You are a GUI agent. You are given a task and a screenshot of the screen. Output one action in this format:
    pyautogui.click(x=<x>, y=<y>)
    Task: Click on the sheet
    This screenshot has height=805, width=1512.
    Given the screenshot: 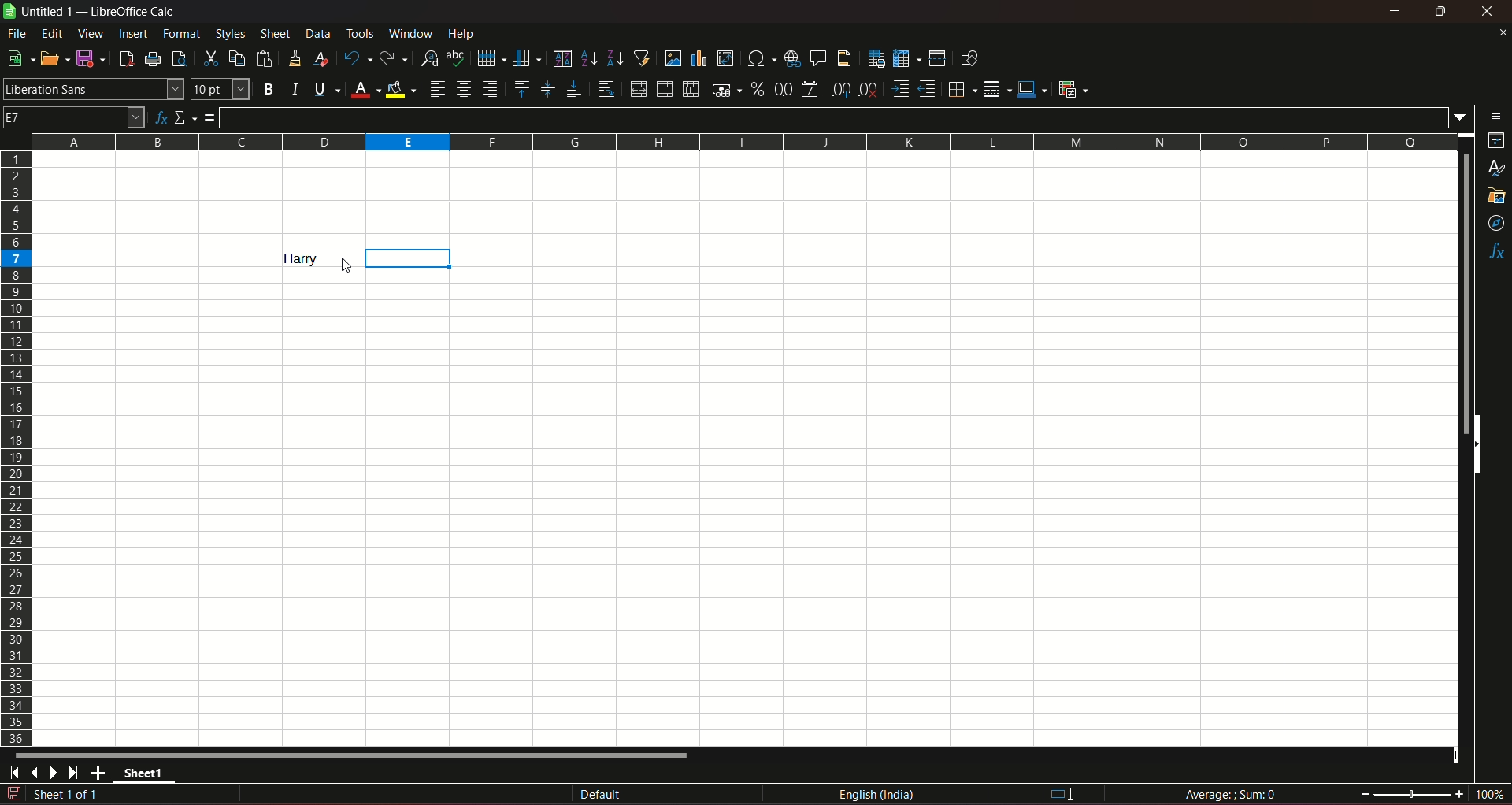 What is the action you would take?
    pyautogui.click(x=276, y=34)
    